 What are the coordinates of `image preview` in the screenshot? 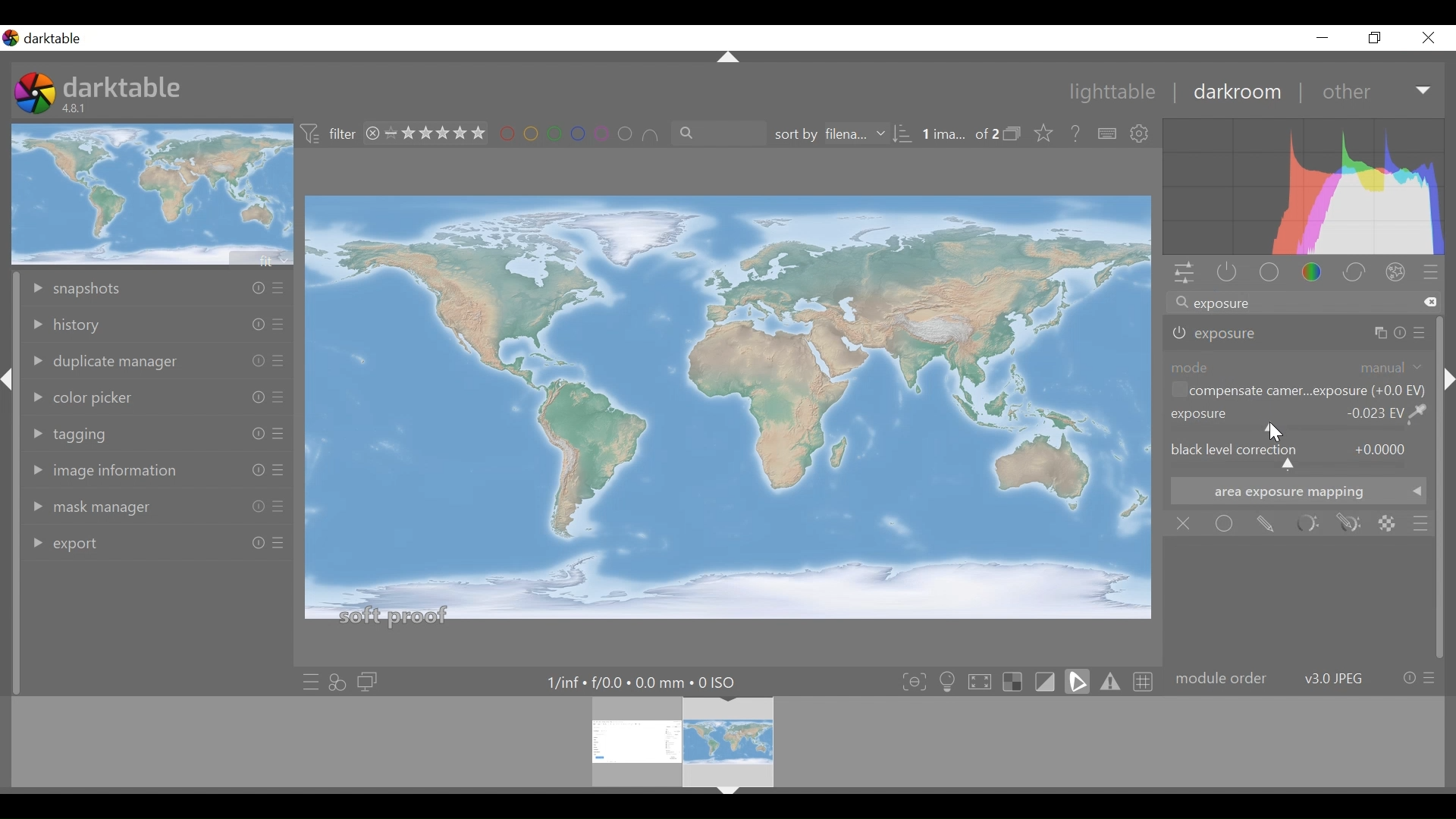 It's located at (154, 193).